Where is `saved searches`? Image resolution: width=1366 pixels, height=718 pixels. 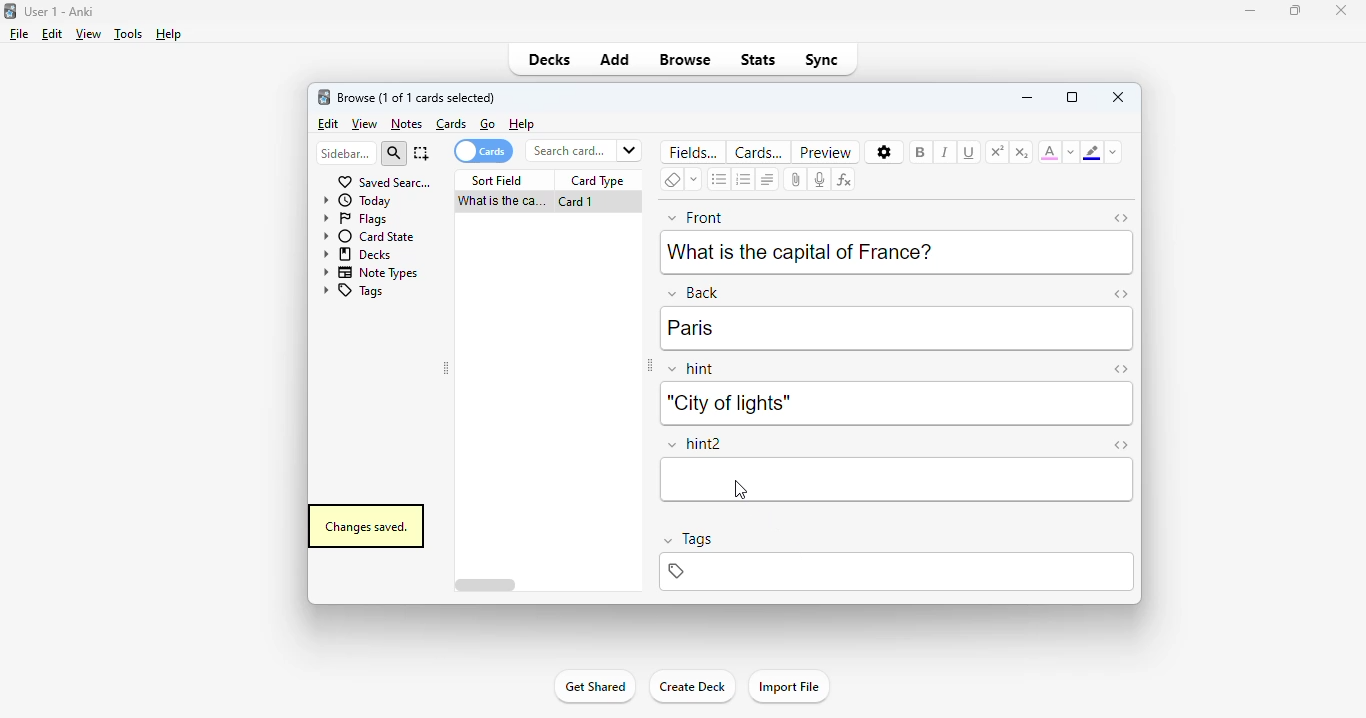 saved searches is located at coordinates (384, 181).